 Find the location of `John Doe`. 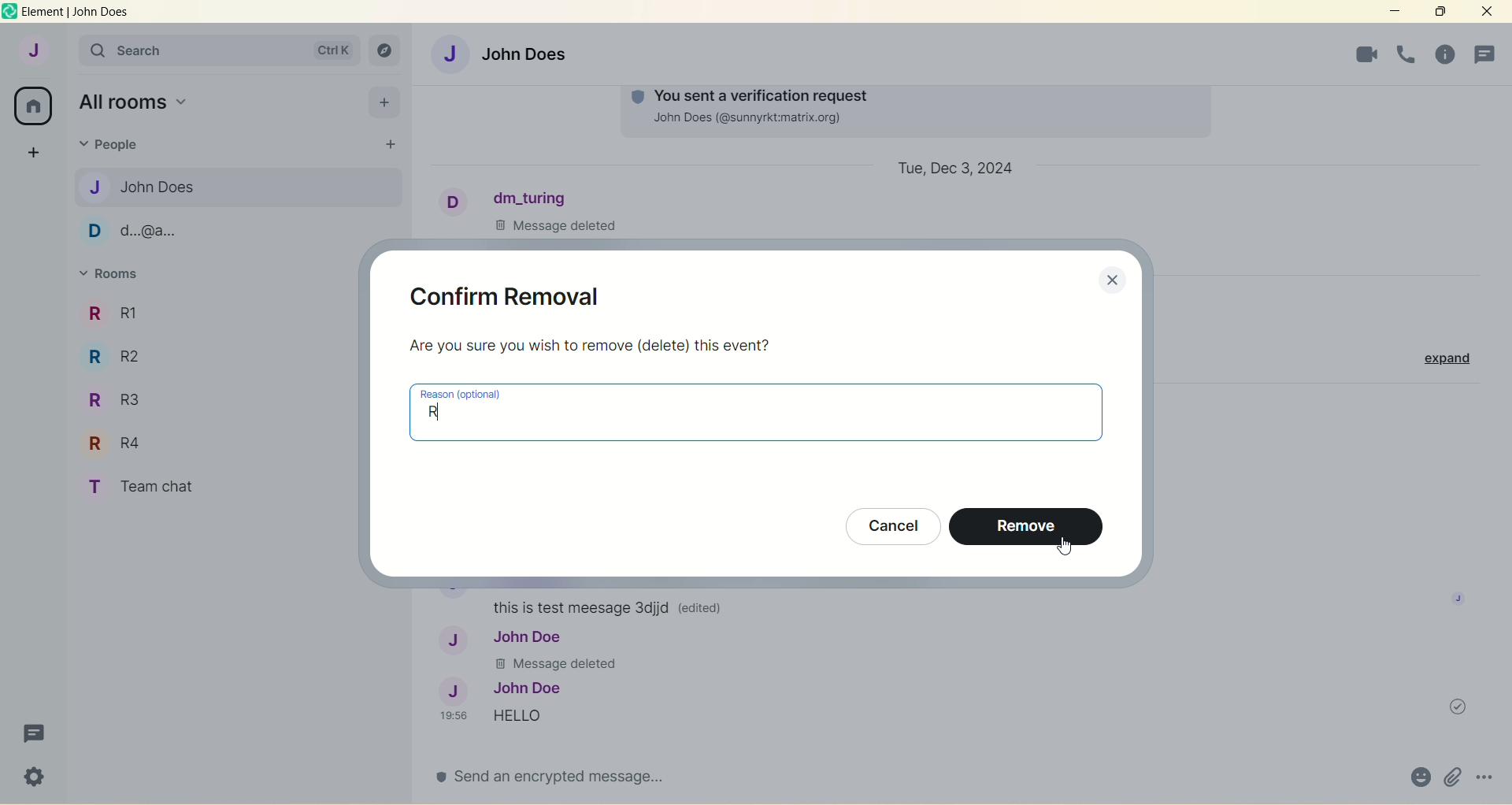

John Doe is located at coordinates (500, 685).